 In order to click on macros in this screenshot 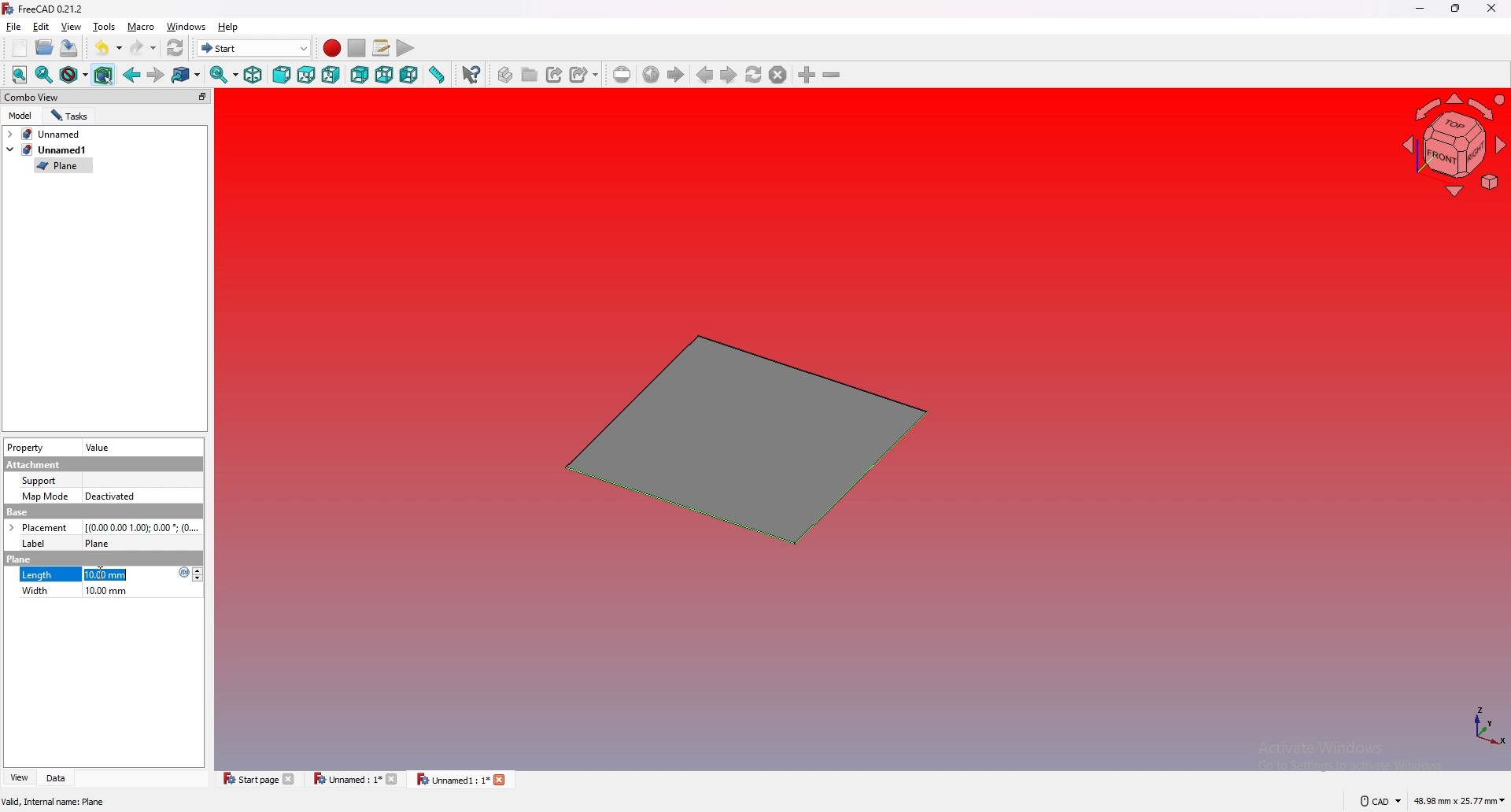, I will do `click(382, 47)`.